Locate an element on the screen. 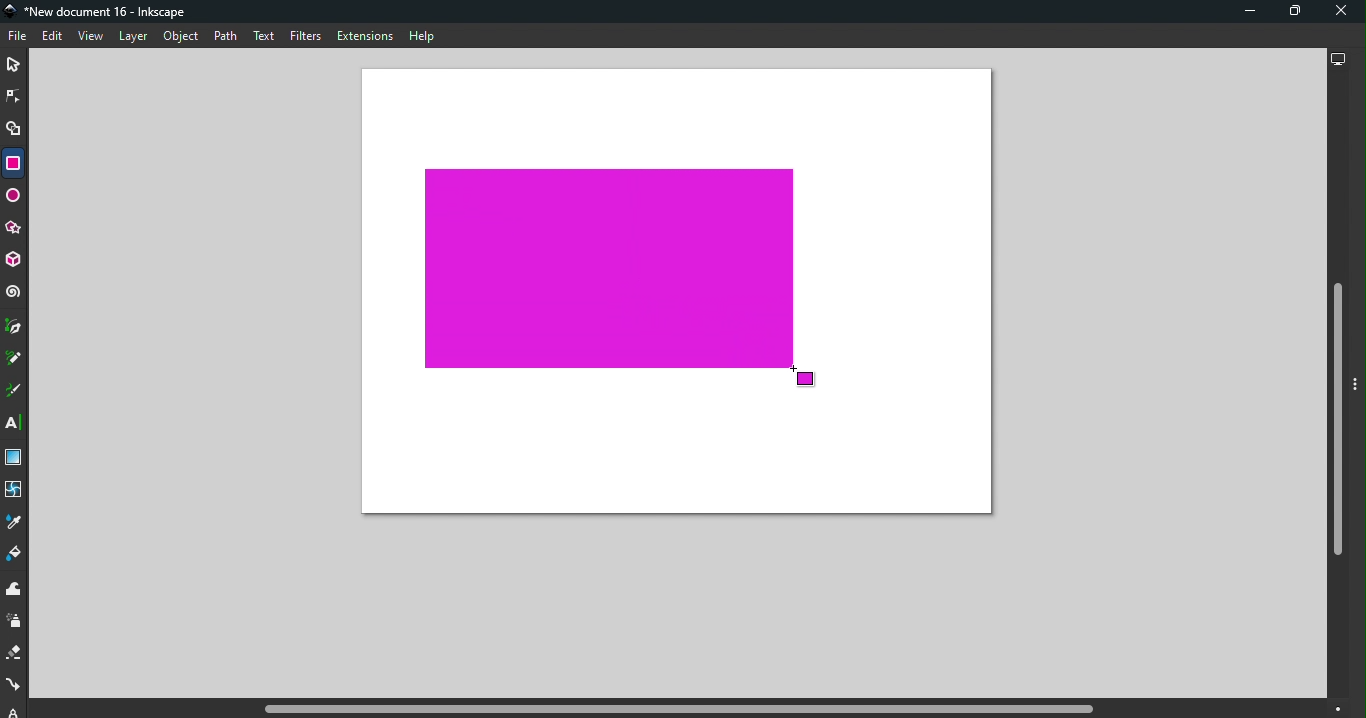 The height and width of the screenshot is (718, 1366). Pencil tool is located at coordinates (17, 357).